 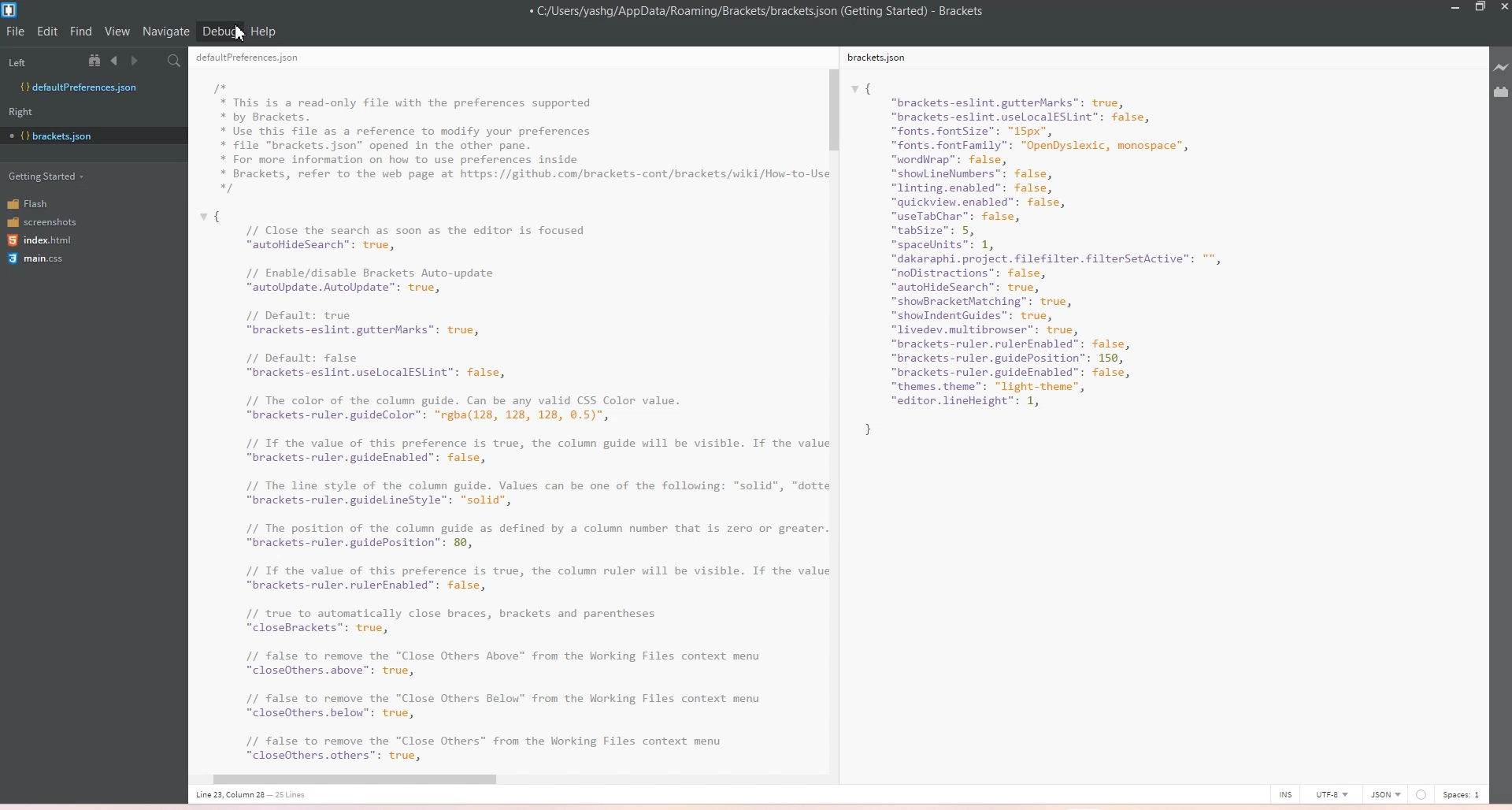 I want to click on Screenshots, so click(x=42, y=221).